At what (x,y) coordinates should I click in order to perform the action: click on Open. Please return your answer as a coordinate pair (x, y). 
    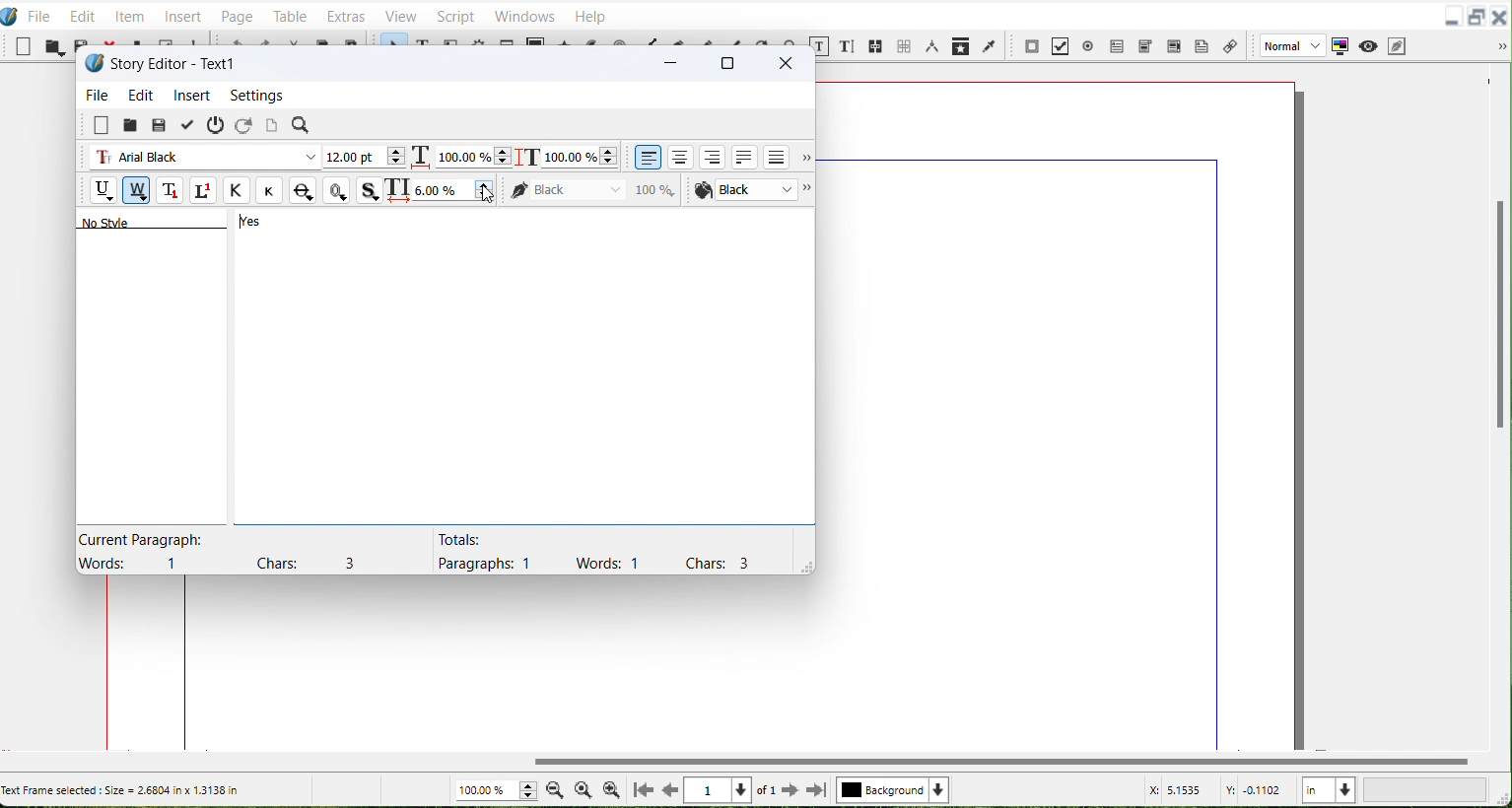
    Looking at the image, I should click on (53, 46).